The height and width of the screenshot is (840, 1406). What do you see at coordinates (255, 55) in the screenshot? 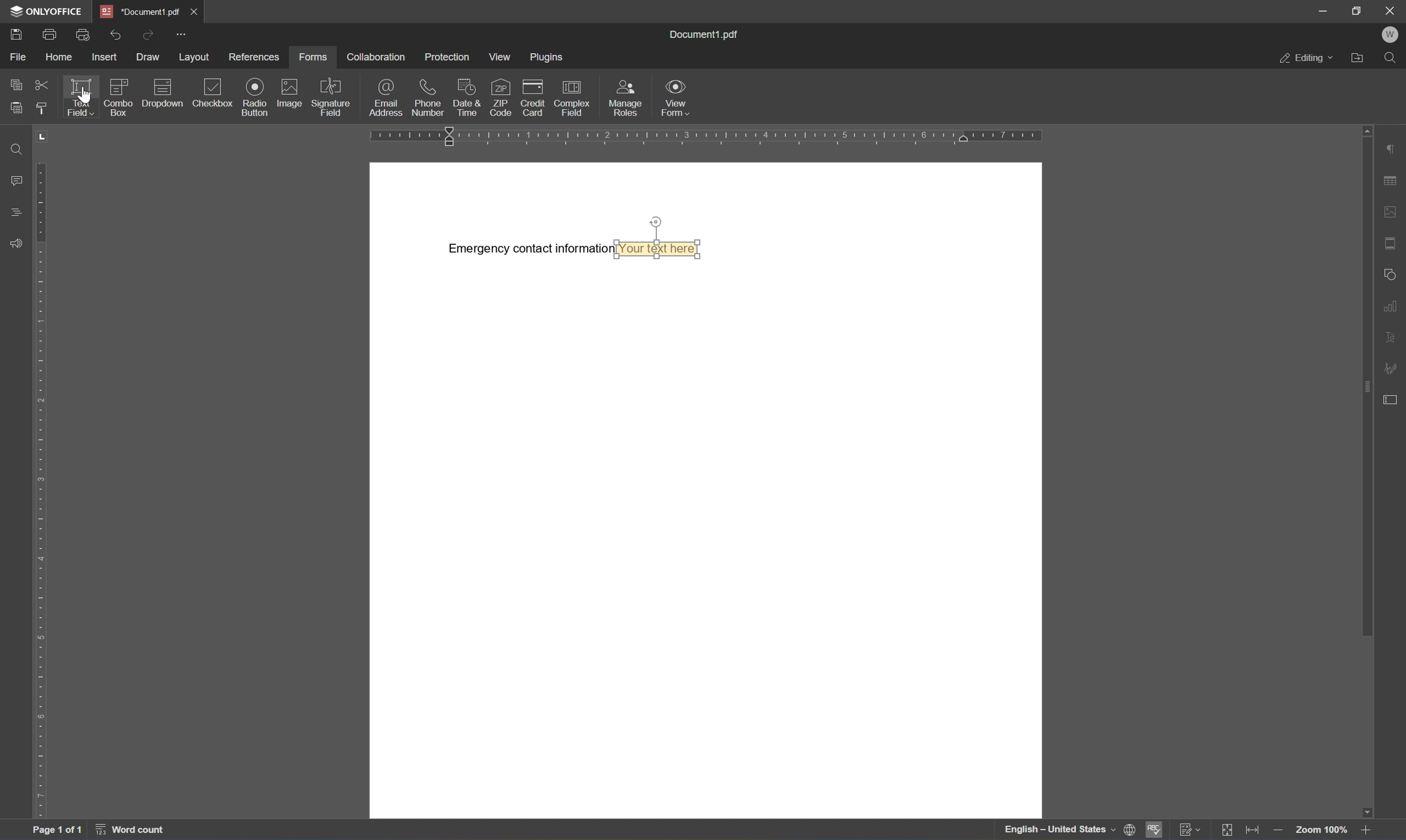
I see `references` at bounding box center [255, 55].